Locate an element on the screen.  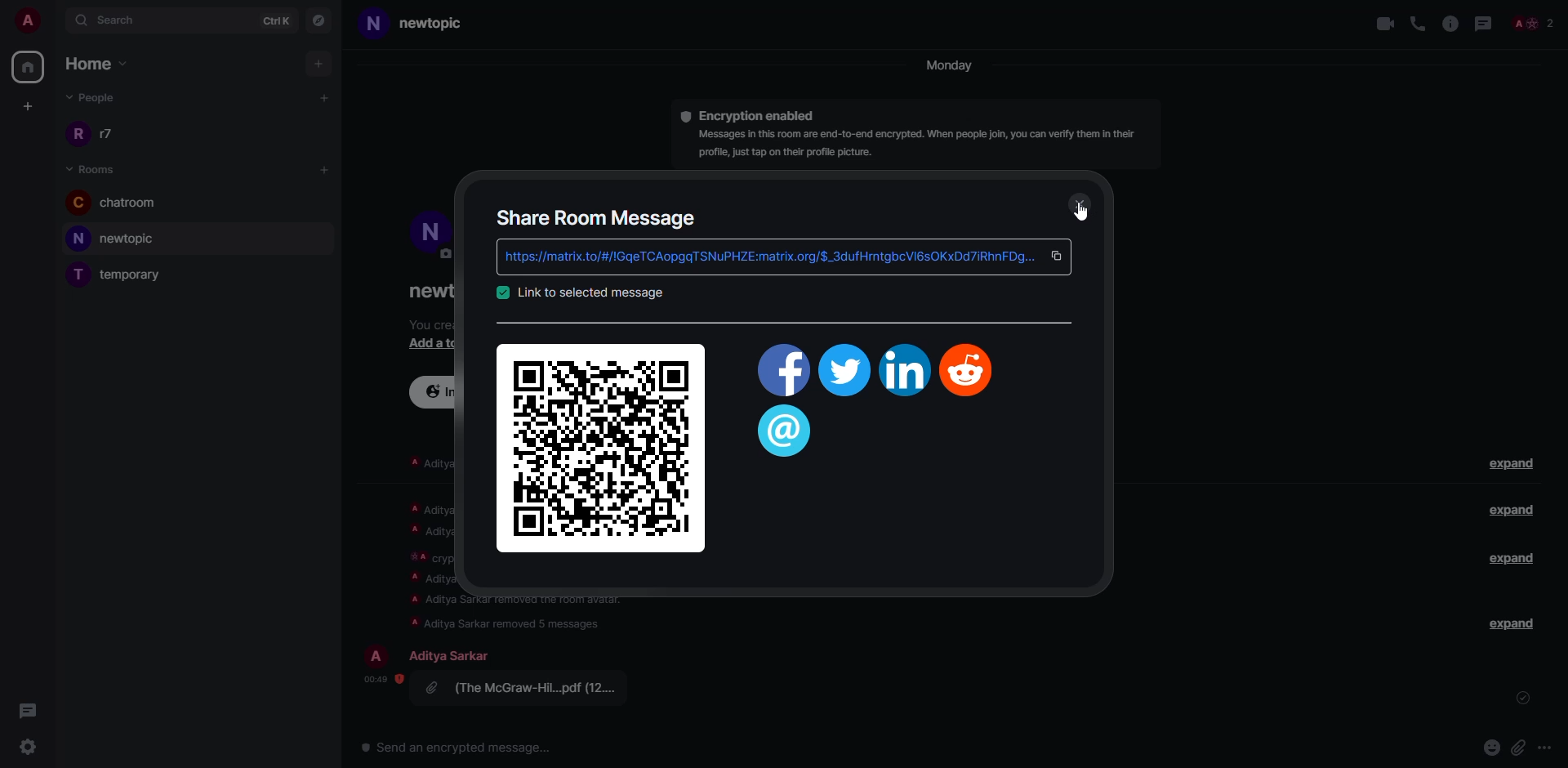
chatroom is located at coordinates (121, 203).